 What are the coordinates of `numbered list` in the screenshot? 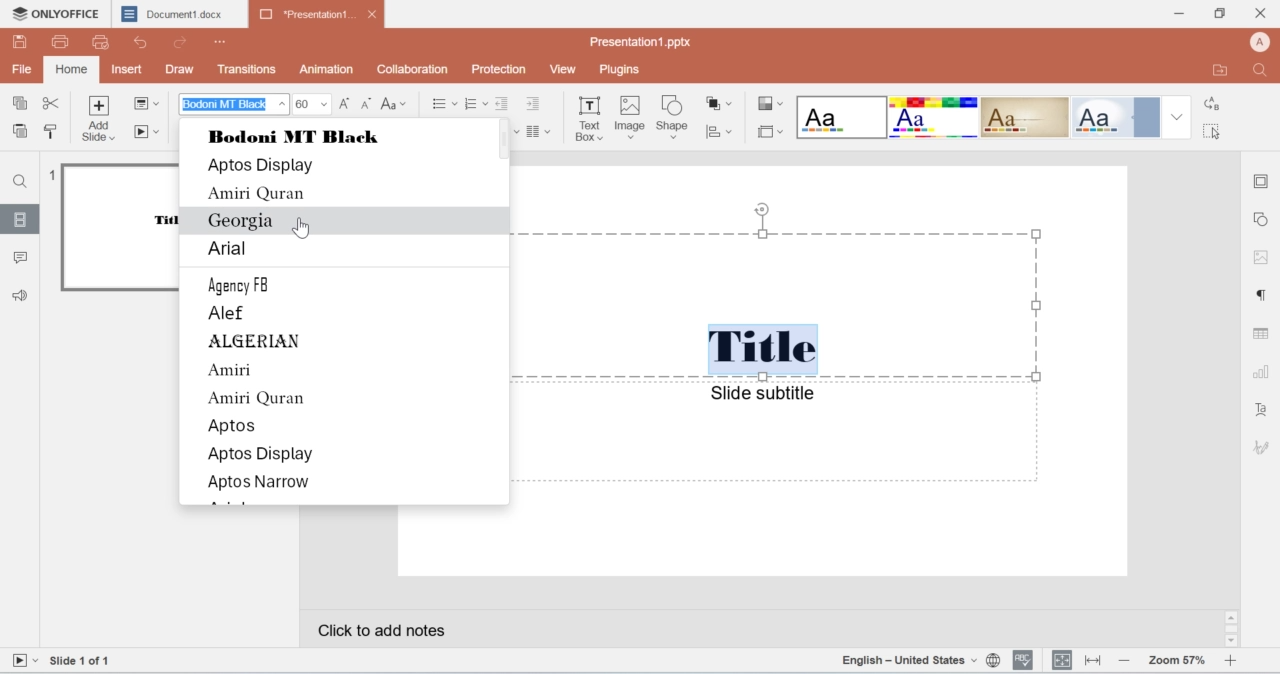 It's located at (477, 103).